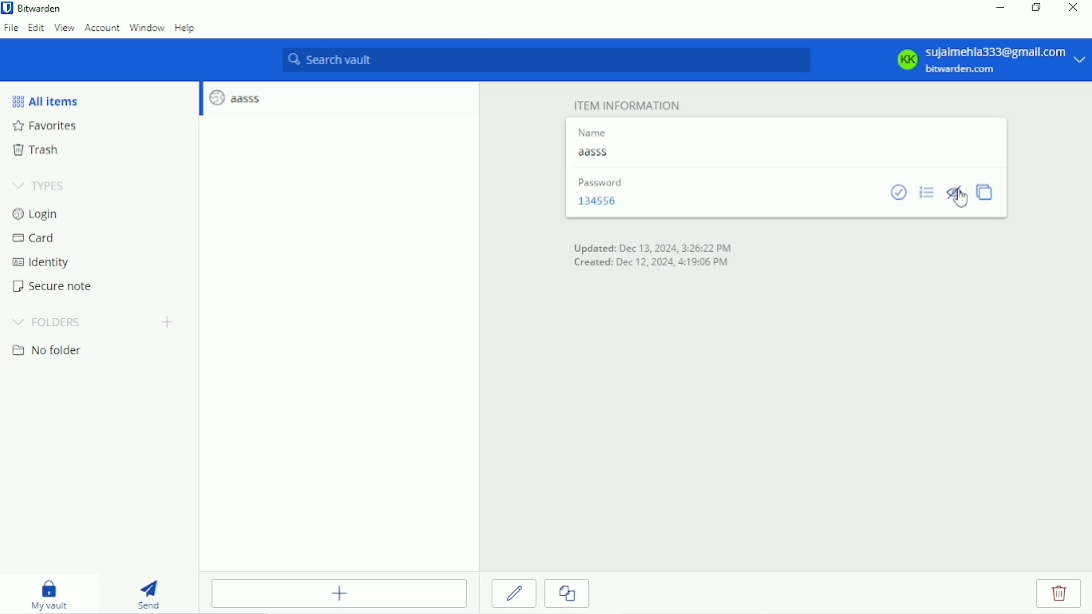 The width and height of the screenshot is (1092, 614). What do you see at coordinates (50, 595) in the screenshot?
I see `My vault` at bounding box center [50, 595].